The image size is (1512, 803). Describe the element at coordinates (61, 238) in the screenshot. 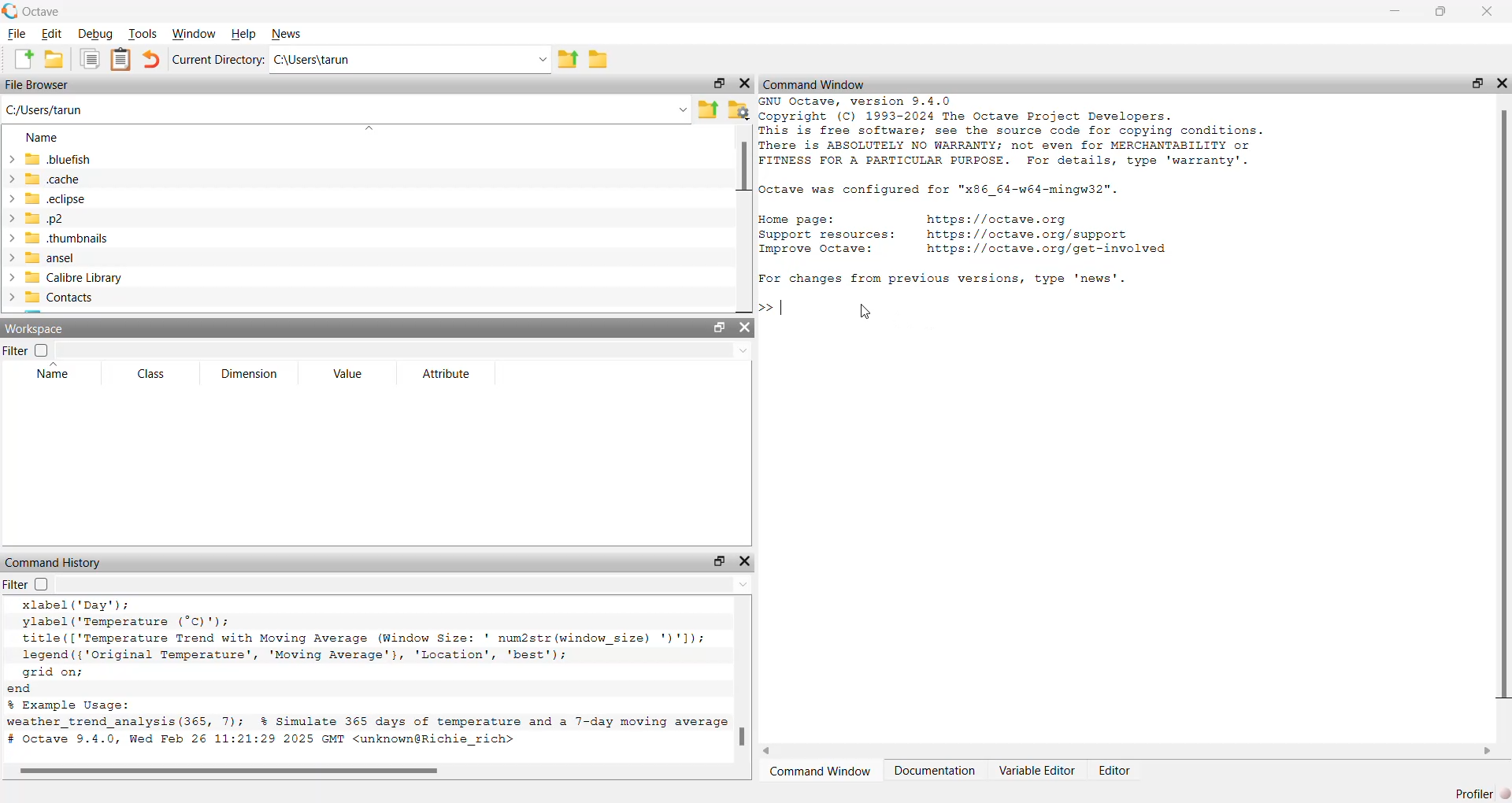

I see `thumbnails` at that location.